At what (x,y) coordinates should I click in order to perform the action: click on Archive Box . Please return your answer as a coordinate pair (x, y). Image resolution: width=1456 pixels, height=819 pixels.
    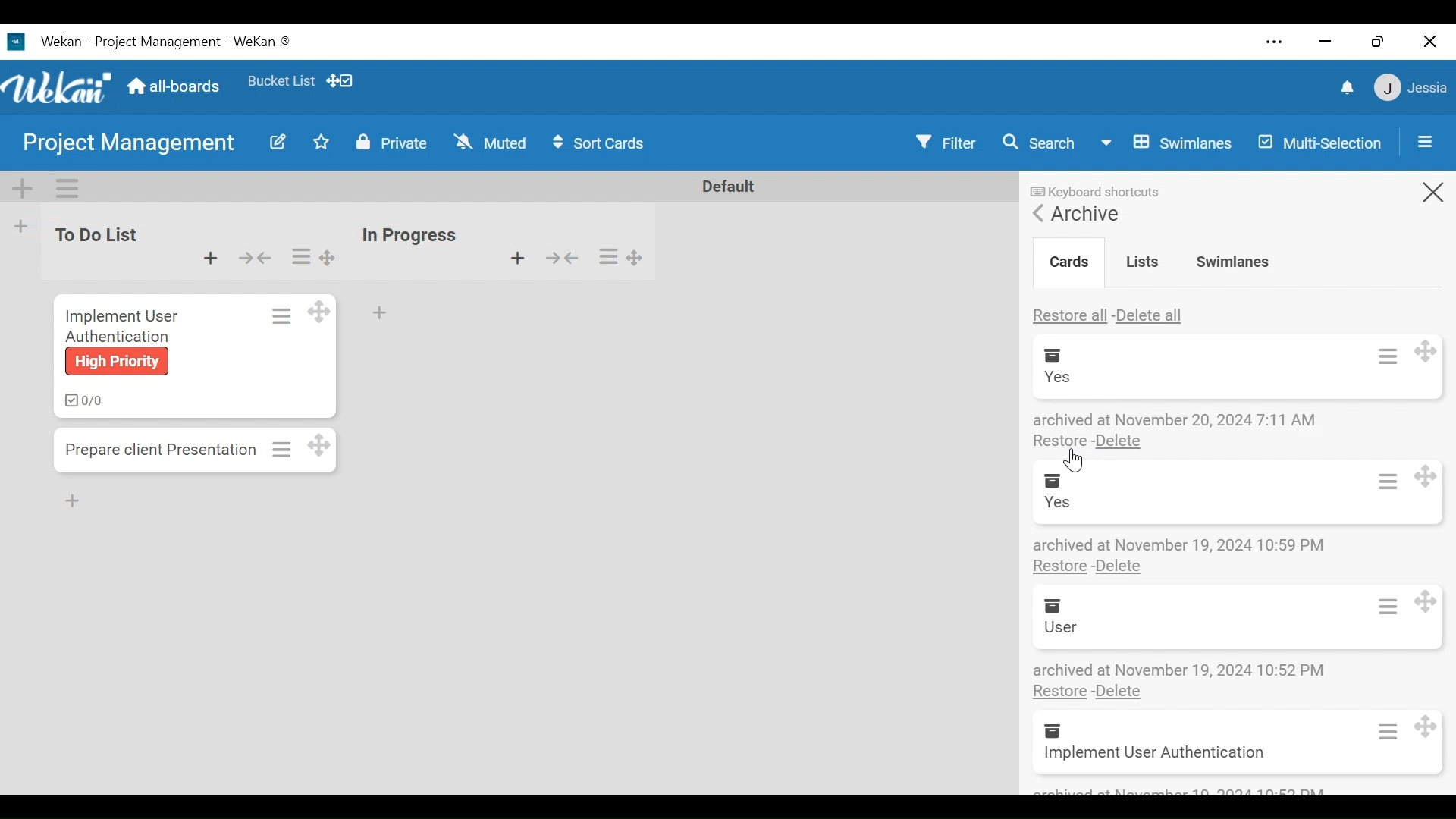
    Looking at the image, I should click on (1063, 480).